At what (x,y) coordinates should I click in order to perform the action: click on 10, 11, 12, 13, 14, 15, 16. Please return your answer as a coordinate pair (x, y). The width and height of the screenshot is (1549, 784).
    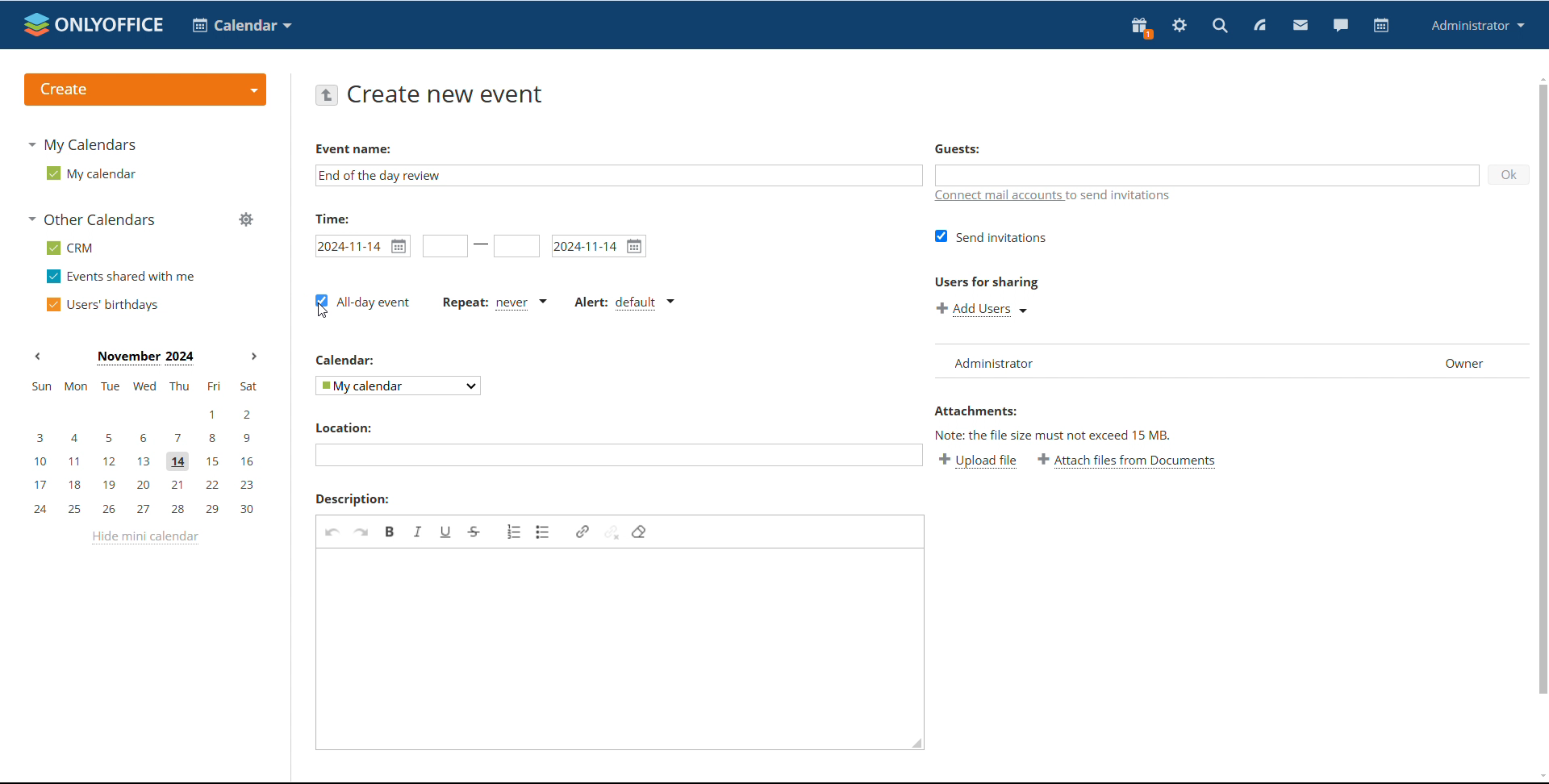
    Looking at the image, I should click on (148, 462).